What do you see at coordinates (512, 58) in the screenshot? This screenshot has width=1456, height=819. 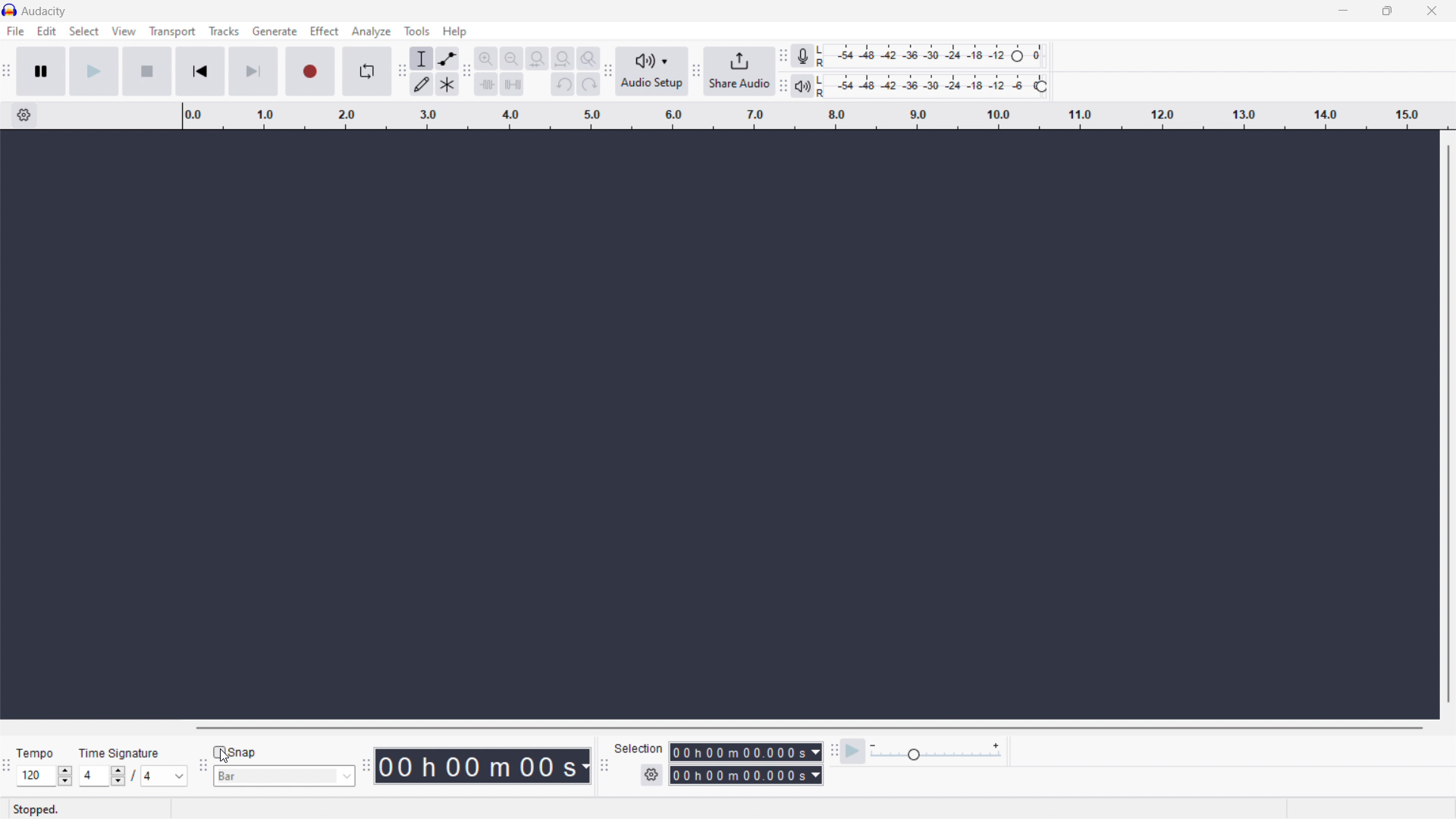 I see `zoom out` at bounding box center [512, 58].